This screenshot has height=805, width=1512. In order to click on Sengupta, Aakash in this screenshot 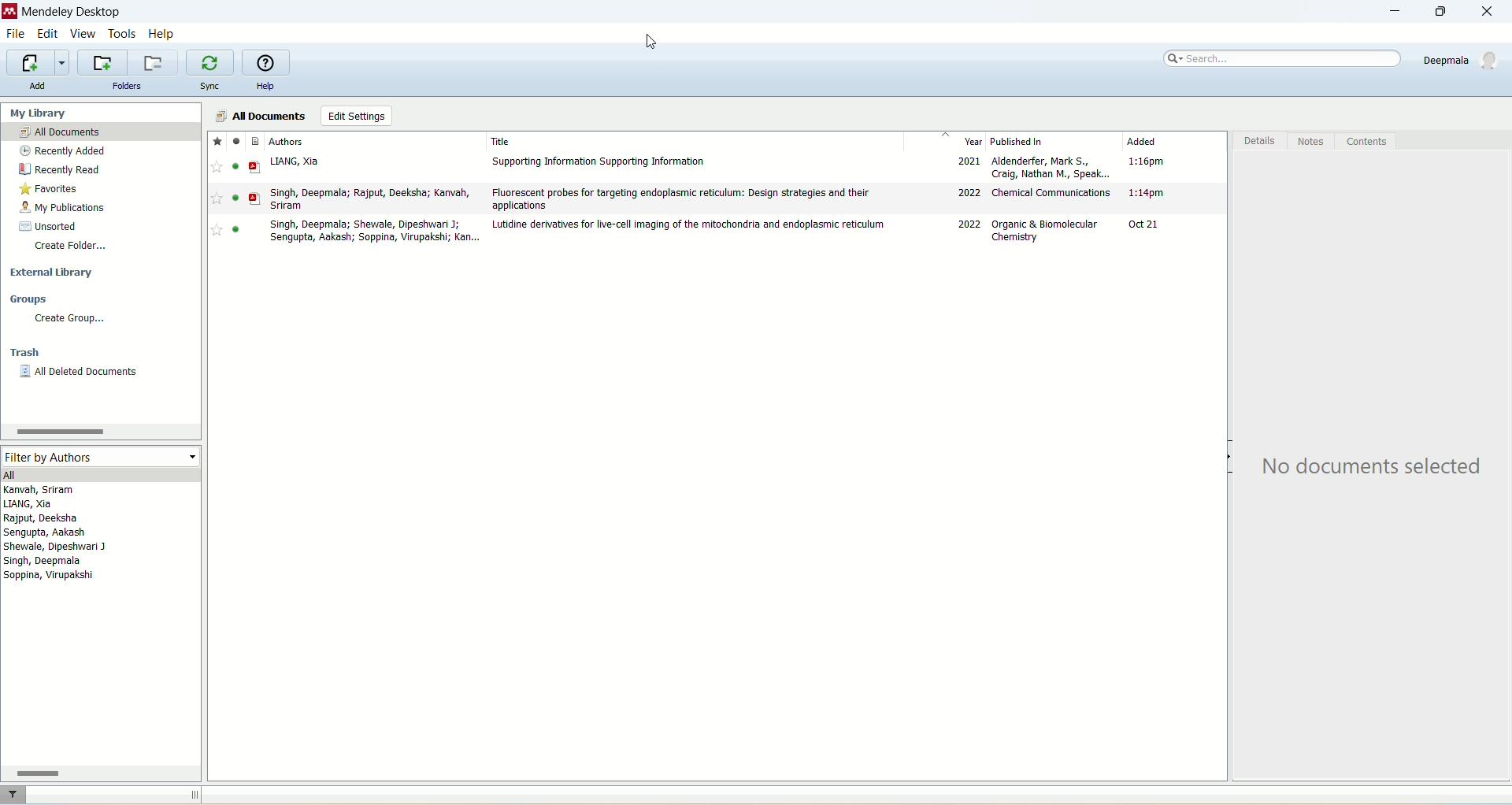, I will do `click(43, 532)`.